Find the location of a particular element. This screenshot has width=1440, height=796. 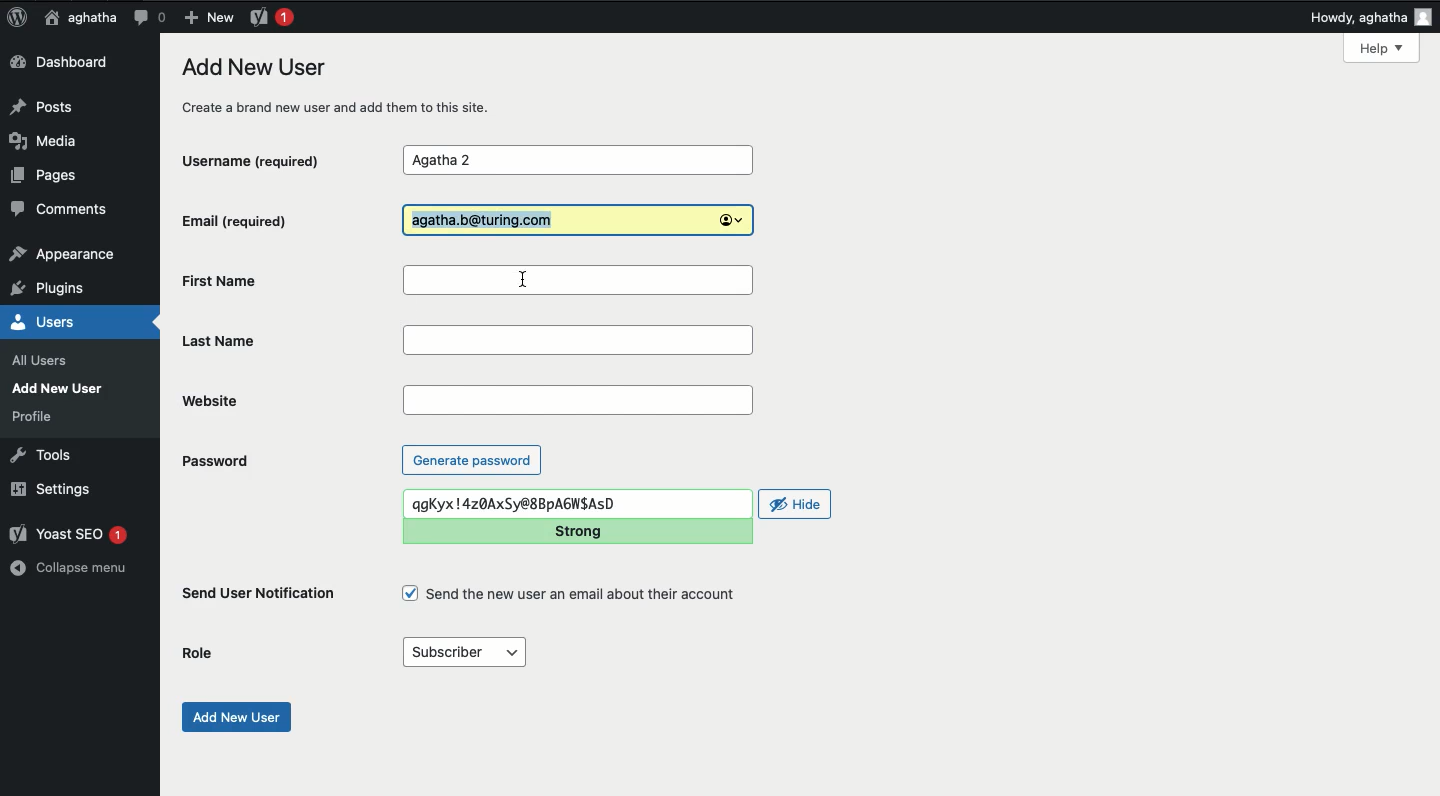

Role is located at coordinates (198, 654).